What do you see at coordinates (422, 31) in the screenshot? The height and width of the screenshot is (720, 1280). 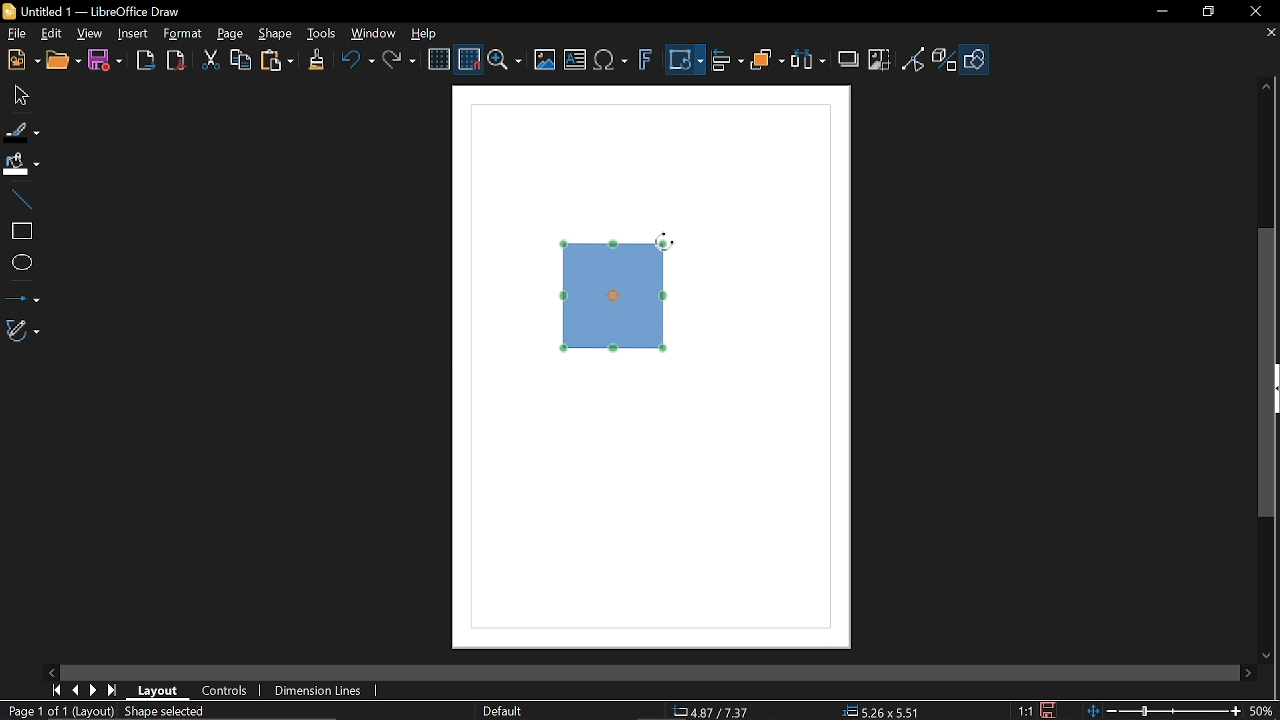 I see `HElp` at bounding box center [422, 31].